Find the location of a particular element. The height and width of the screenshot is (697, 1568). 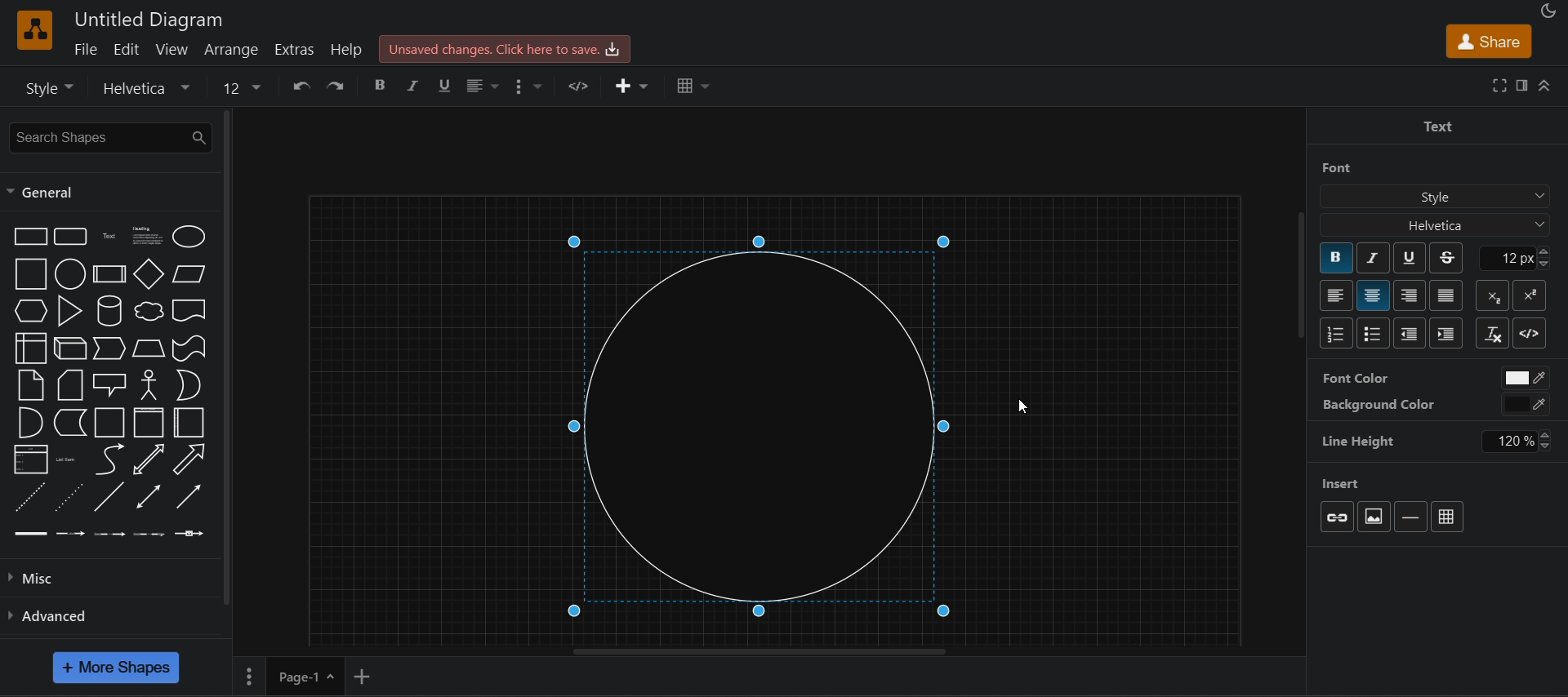

bidirectional connector is located at coordinates (150, 499).